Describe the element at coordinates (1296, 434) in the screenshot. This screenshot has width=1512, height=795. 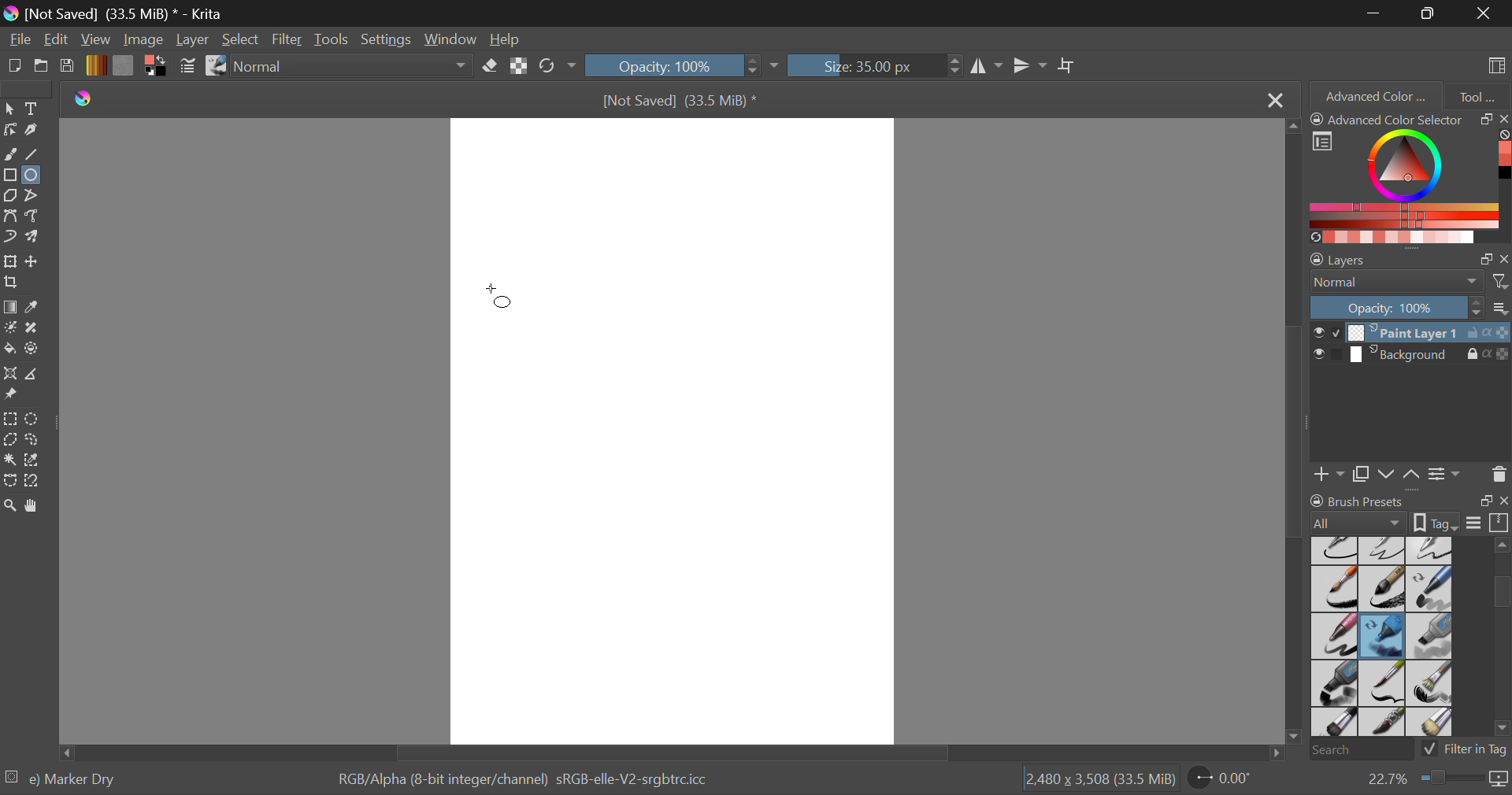
I see `Scroll Bar` at that location.